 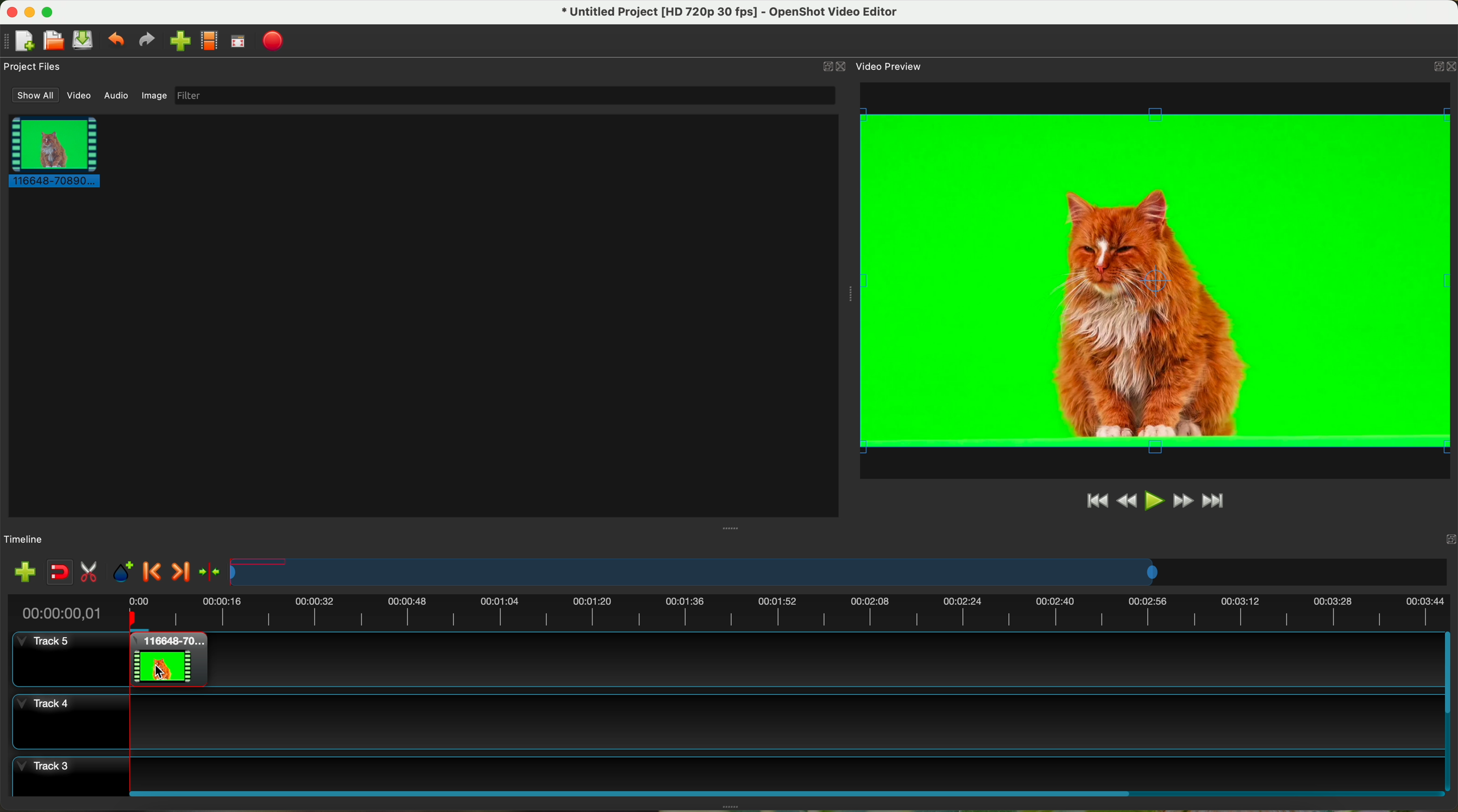 What do you see at coordinates (840, 572) in the screenshot?
I see `timeline` at bounding box center [840, 572].